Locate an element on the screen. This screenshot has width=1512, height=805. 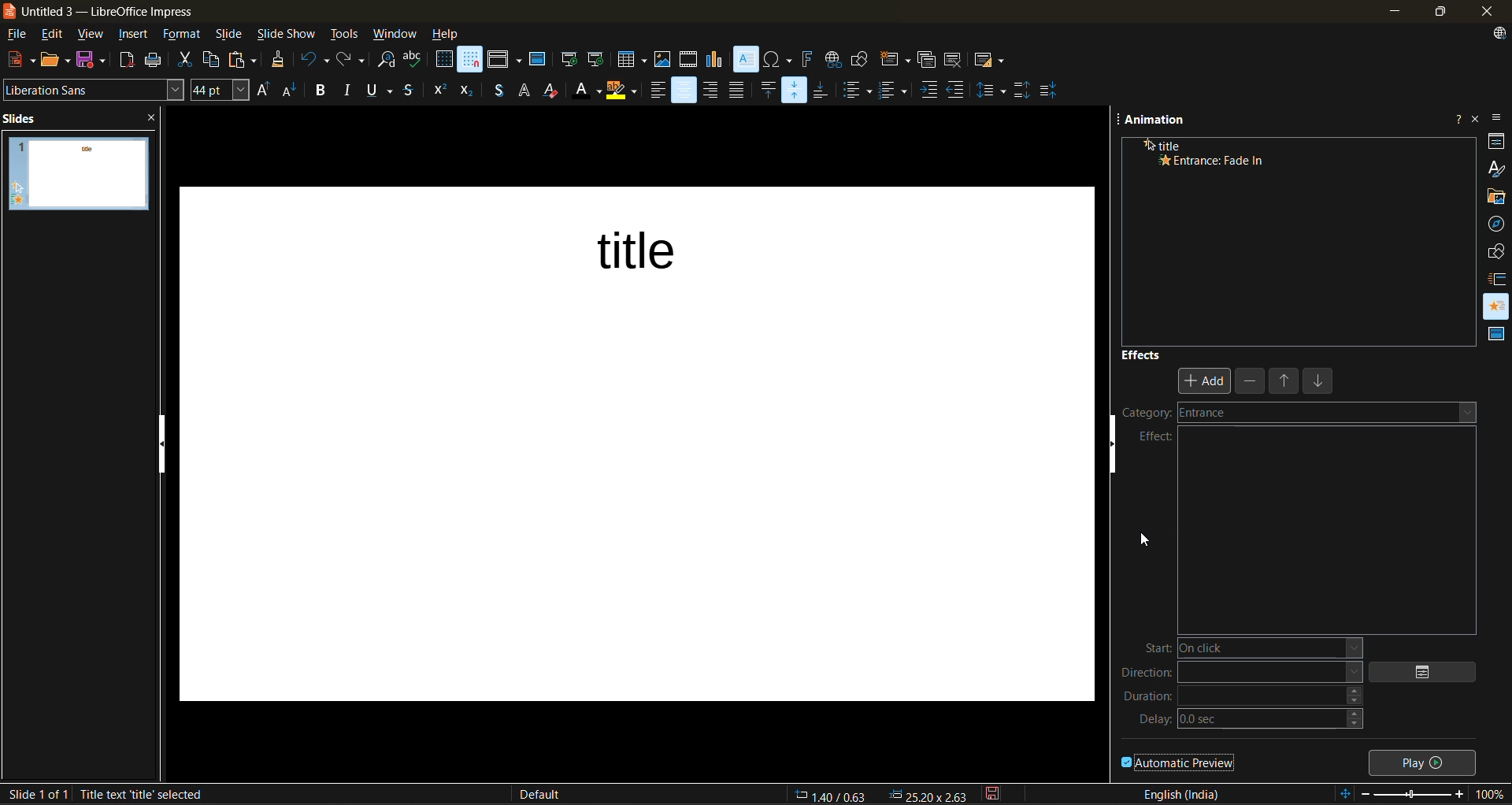
justified is located at coordinates (739, 89).